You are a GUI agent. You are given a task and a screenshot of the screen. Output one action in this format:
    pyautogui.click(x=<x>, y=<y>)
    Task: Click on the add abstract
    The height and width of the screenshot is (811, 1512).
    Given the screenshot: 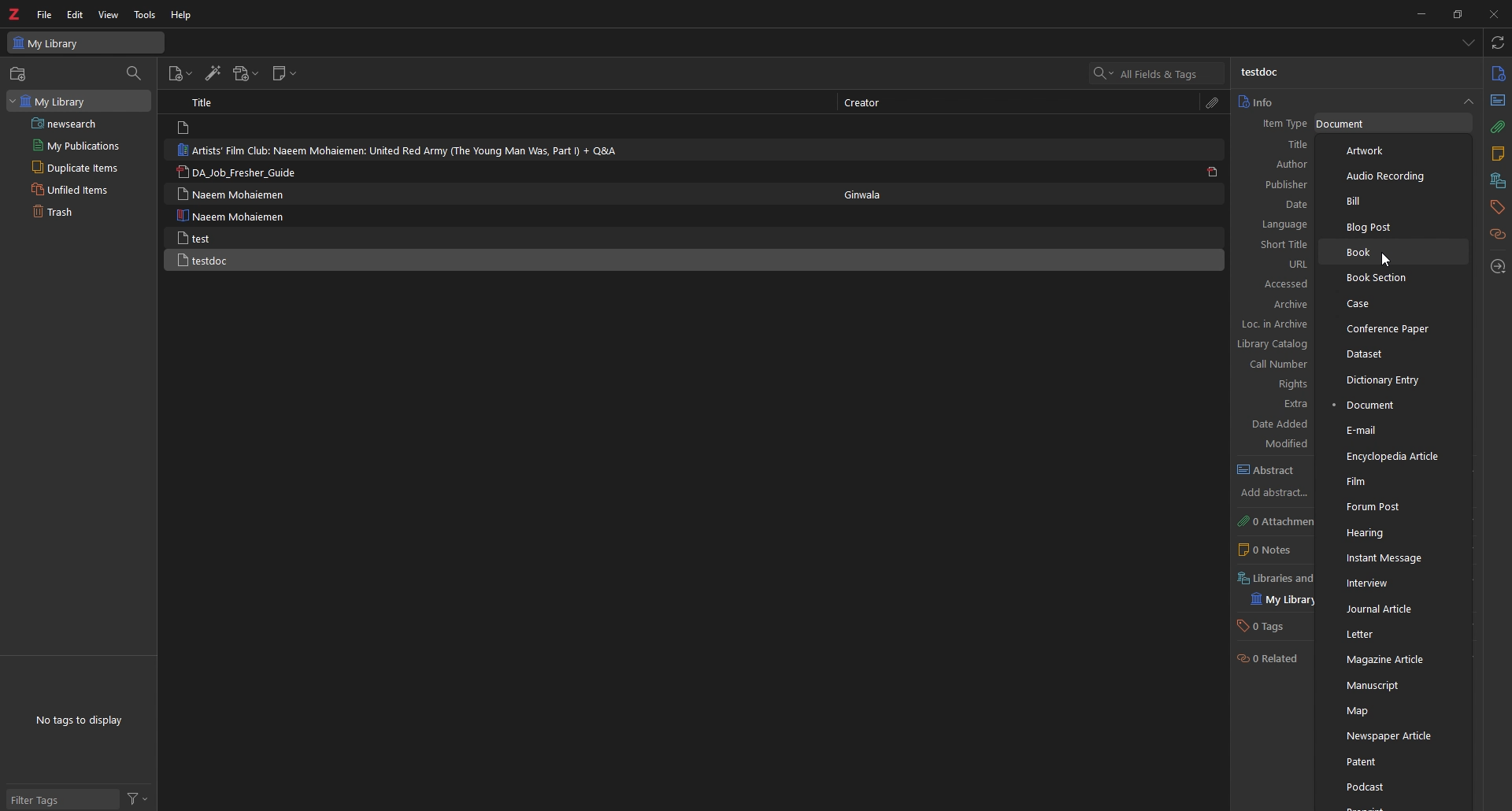 What is the action you would take?
    pyautogui.click(x=1273, y=494)
    